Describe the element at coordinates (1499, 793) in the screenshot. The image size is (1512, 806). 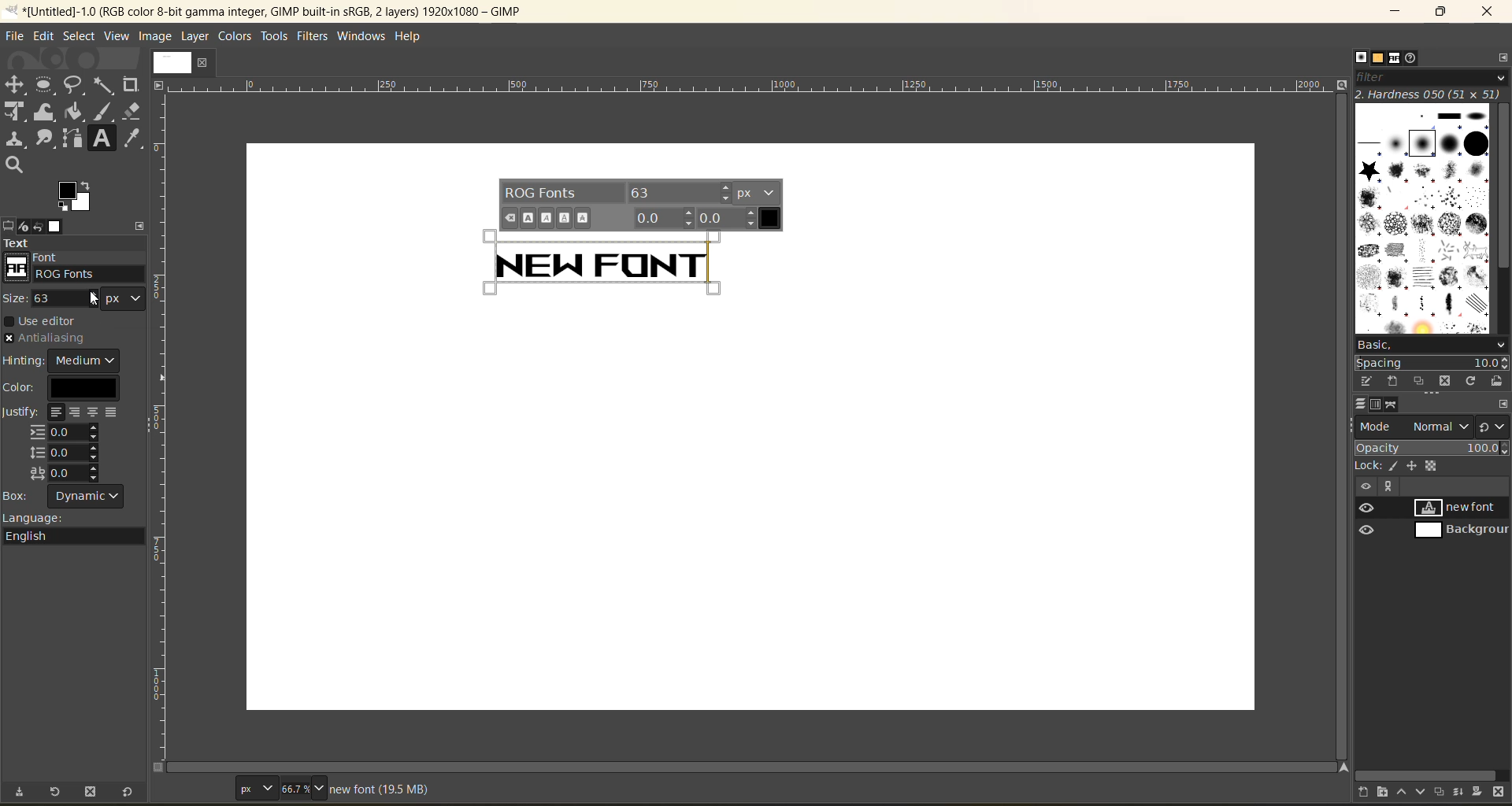
I see `delete this layer` at that location.